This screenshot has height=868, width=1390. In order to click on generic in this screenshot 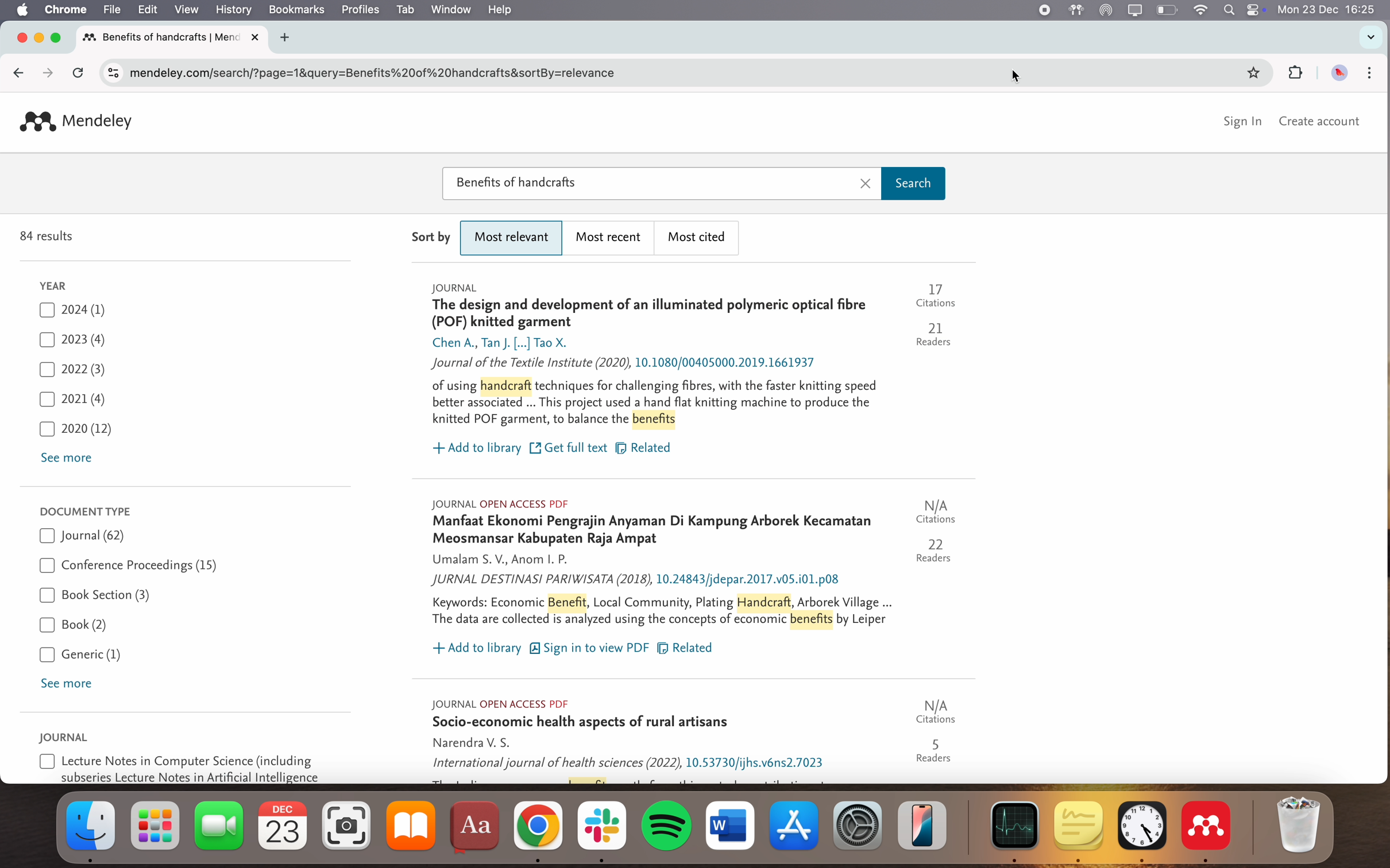, I will do `click(79, 656)`.